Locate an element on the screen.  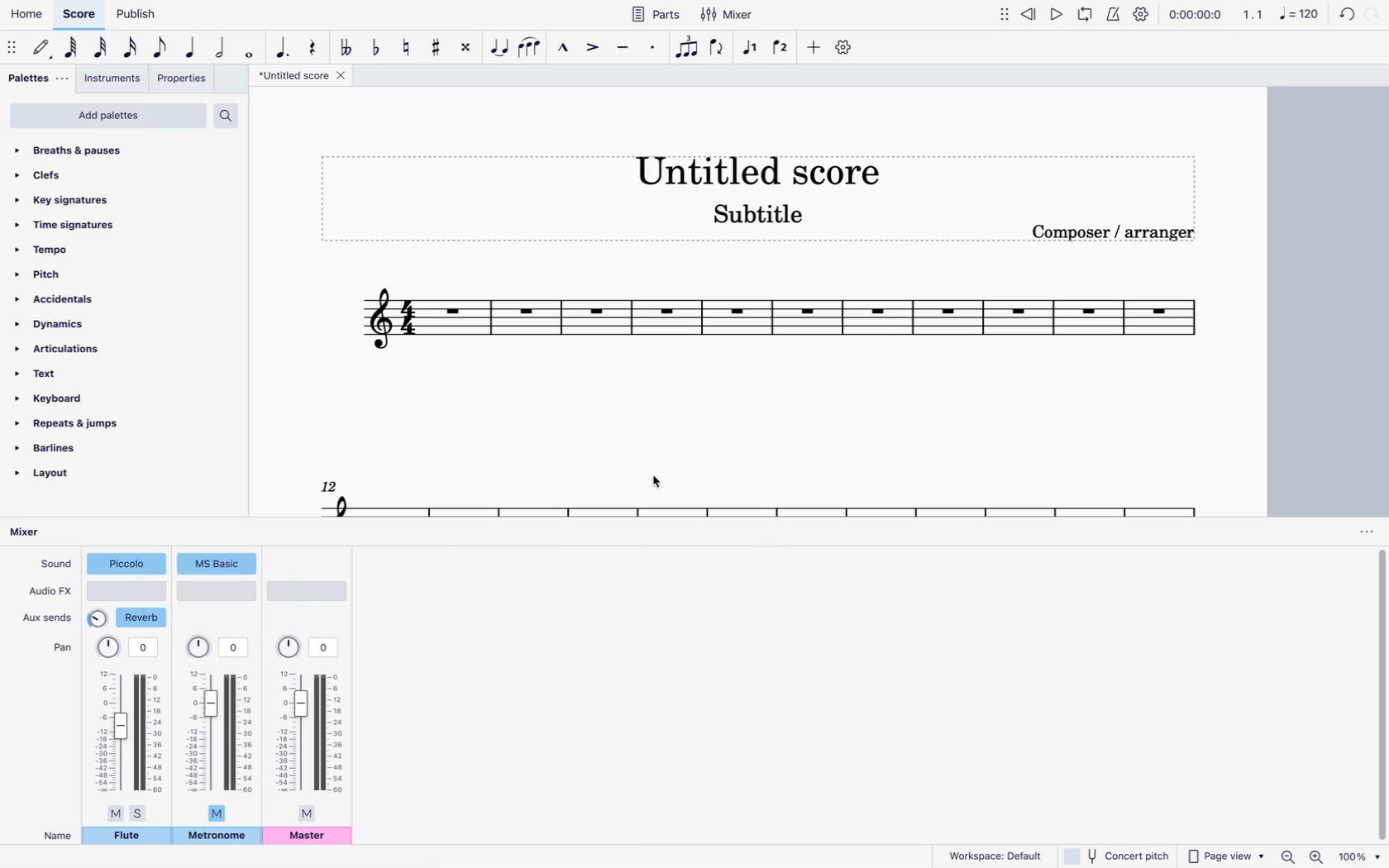
more is located at coordinates (811, 46).